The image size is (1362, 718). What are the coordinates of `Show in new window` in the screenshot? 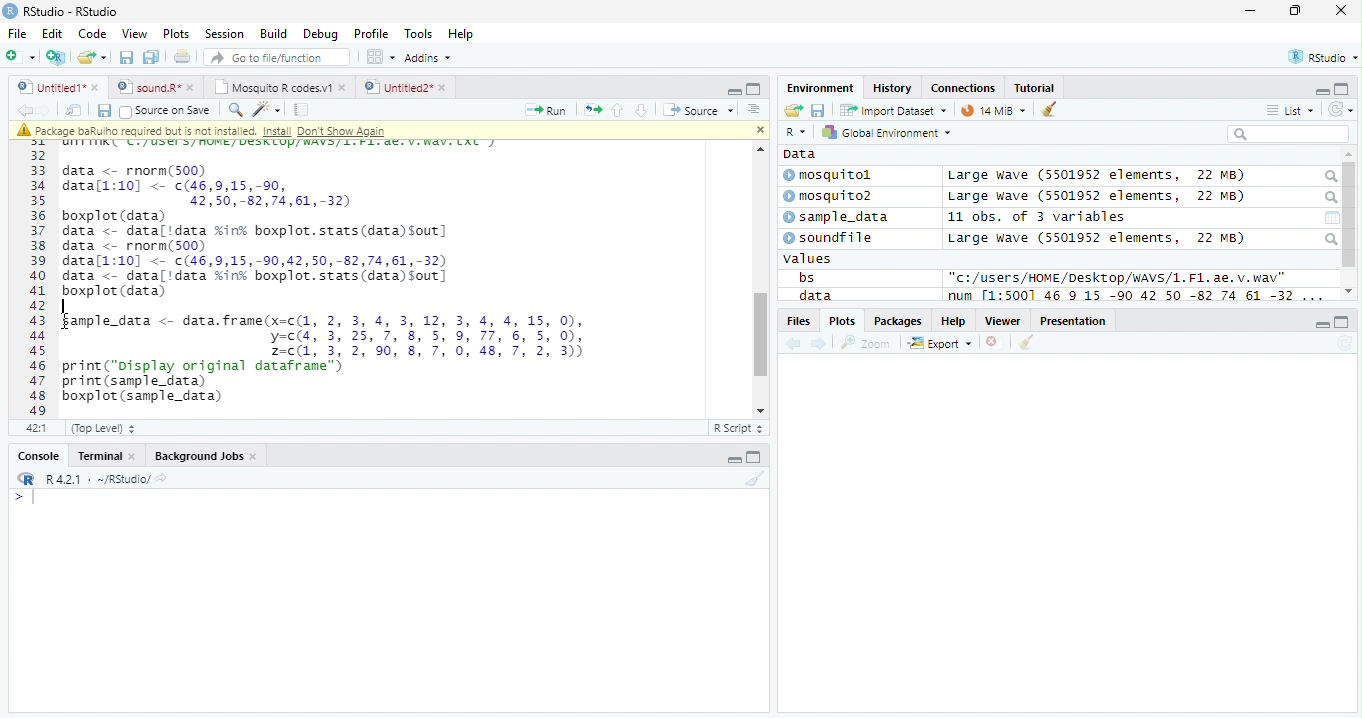 It's located at (74, 111).